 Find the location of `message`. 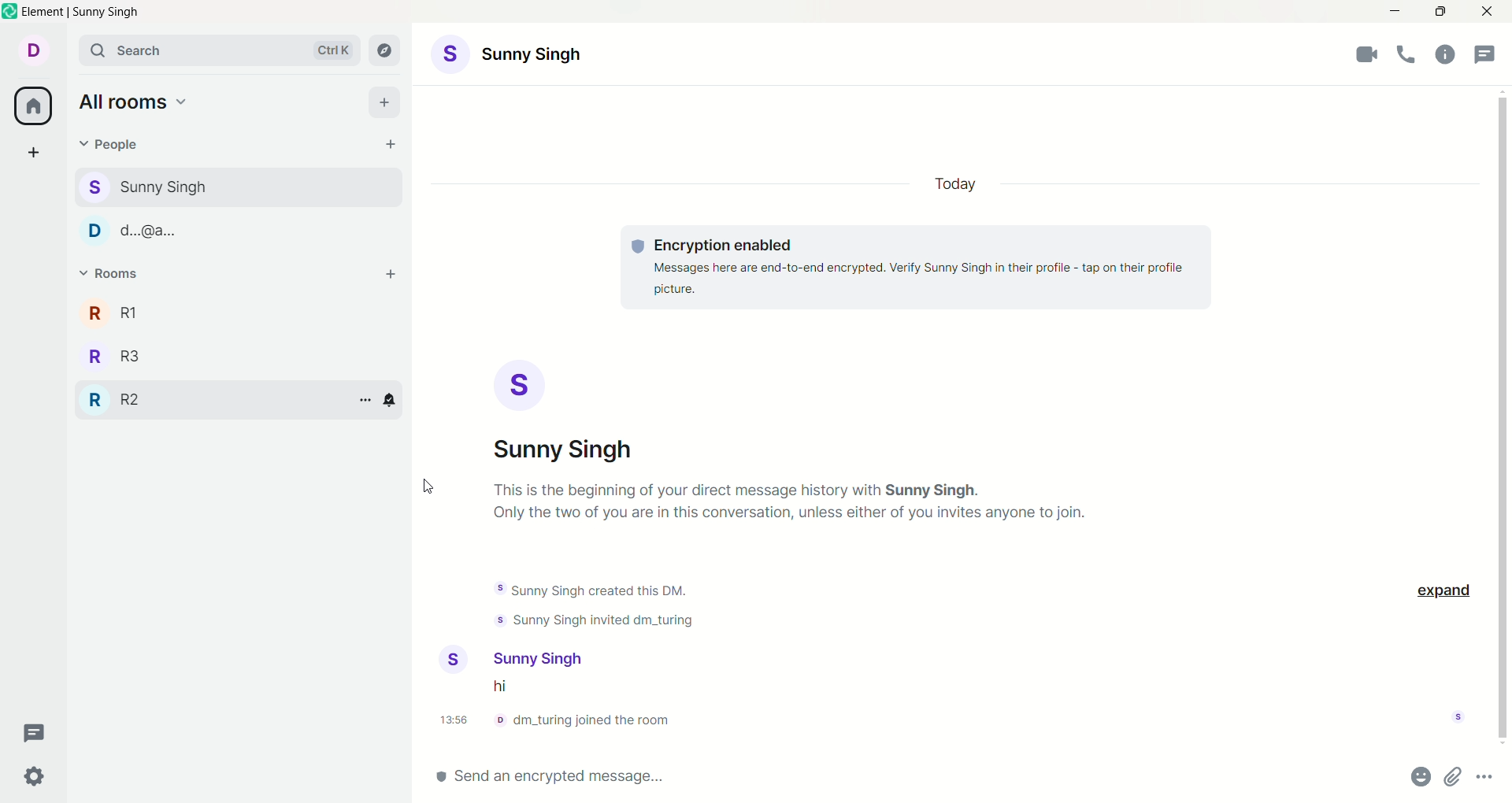

message is located at coordinates (510, 688).